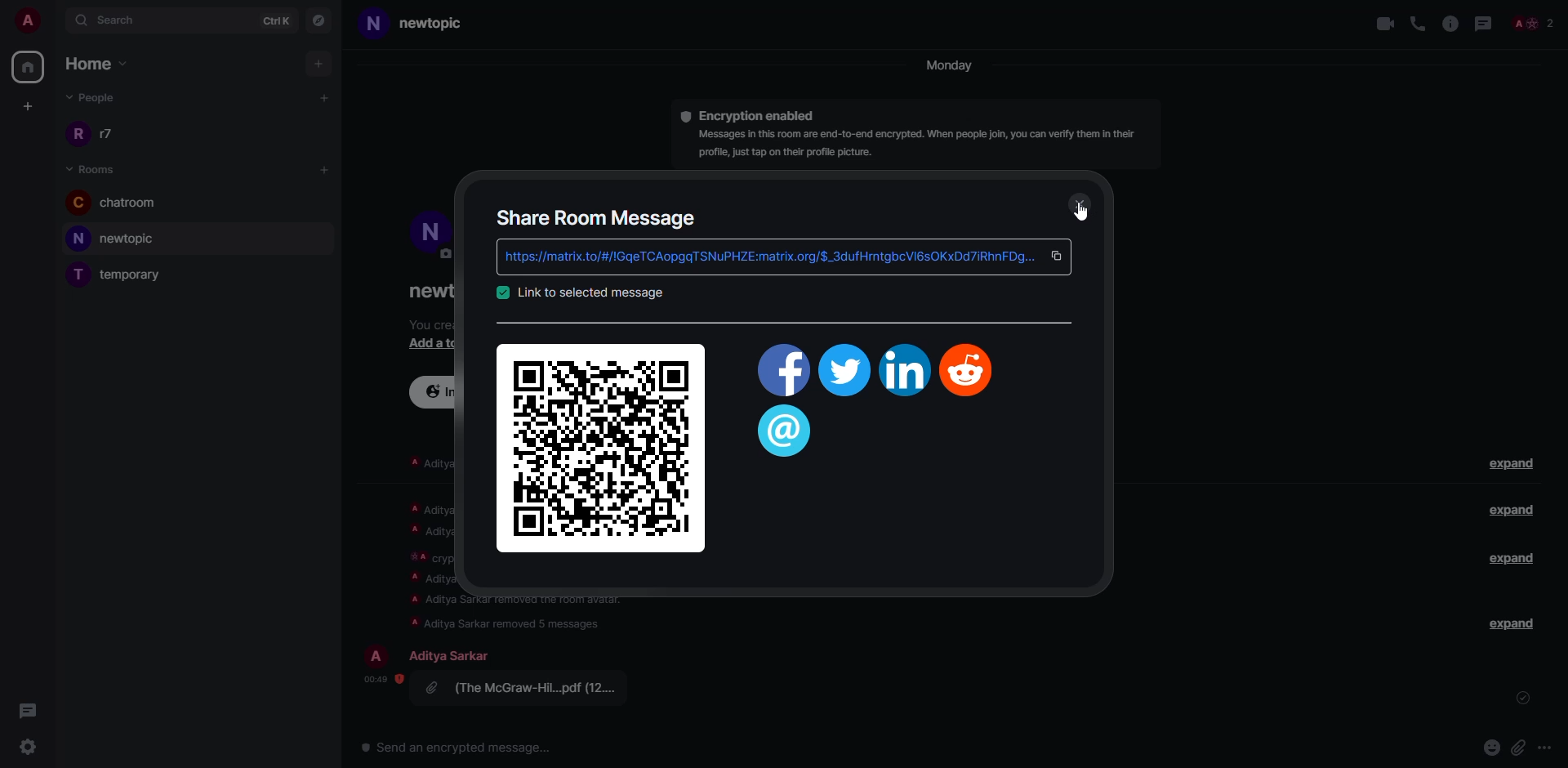  Describe the element at coordinates (599, 217) in the screenshot. I see `share message` at that location.